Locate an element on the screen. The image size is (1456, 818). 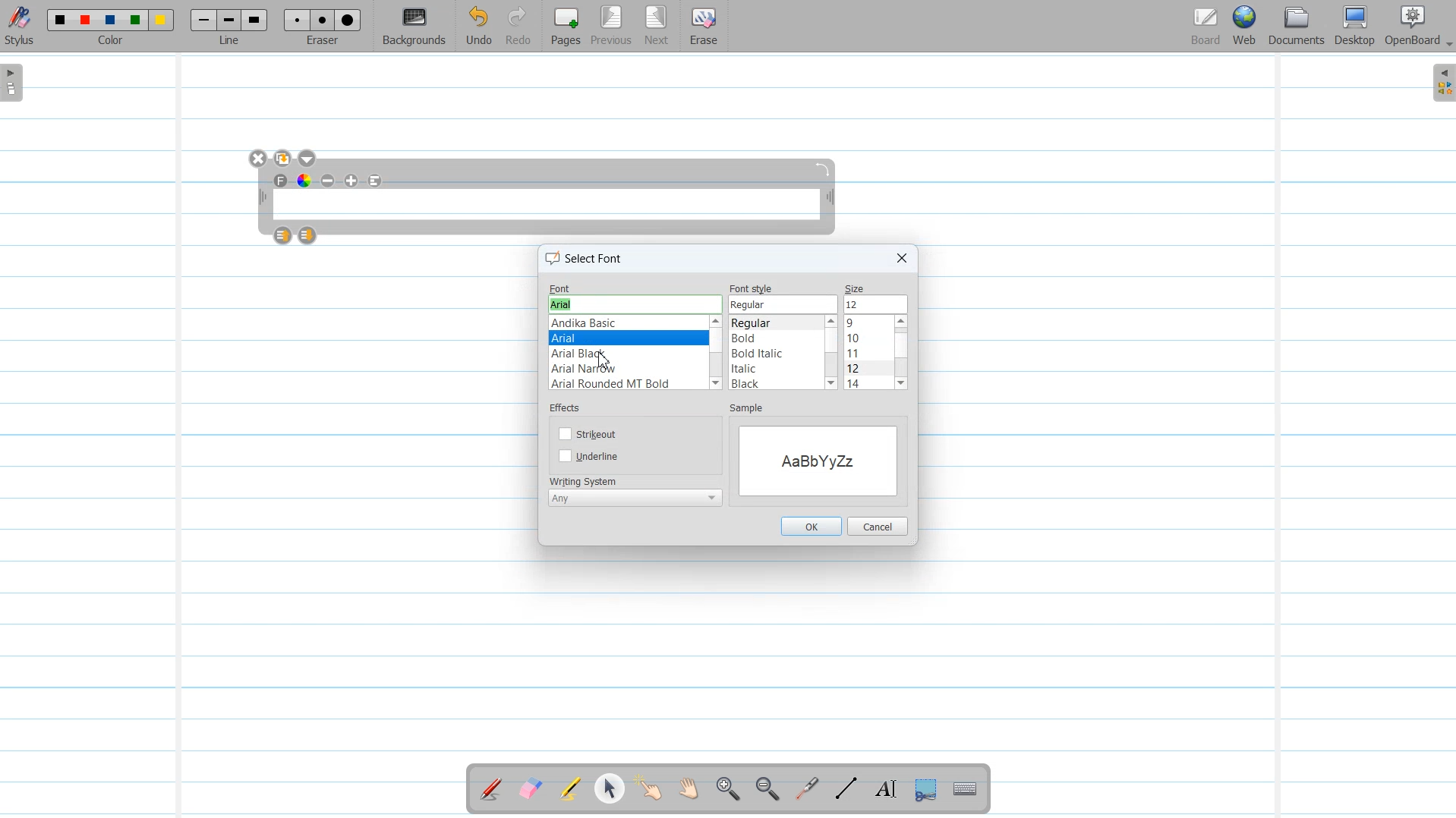
Font sizes is located at coordinates (868, 354).